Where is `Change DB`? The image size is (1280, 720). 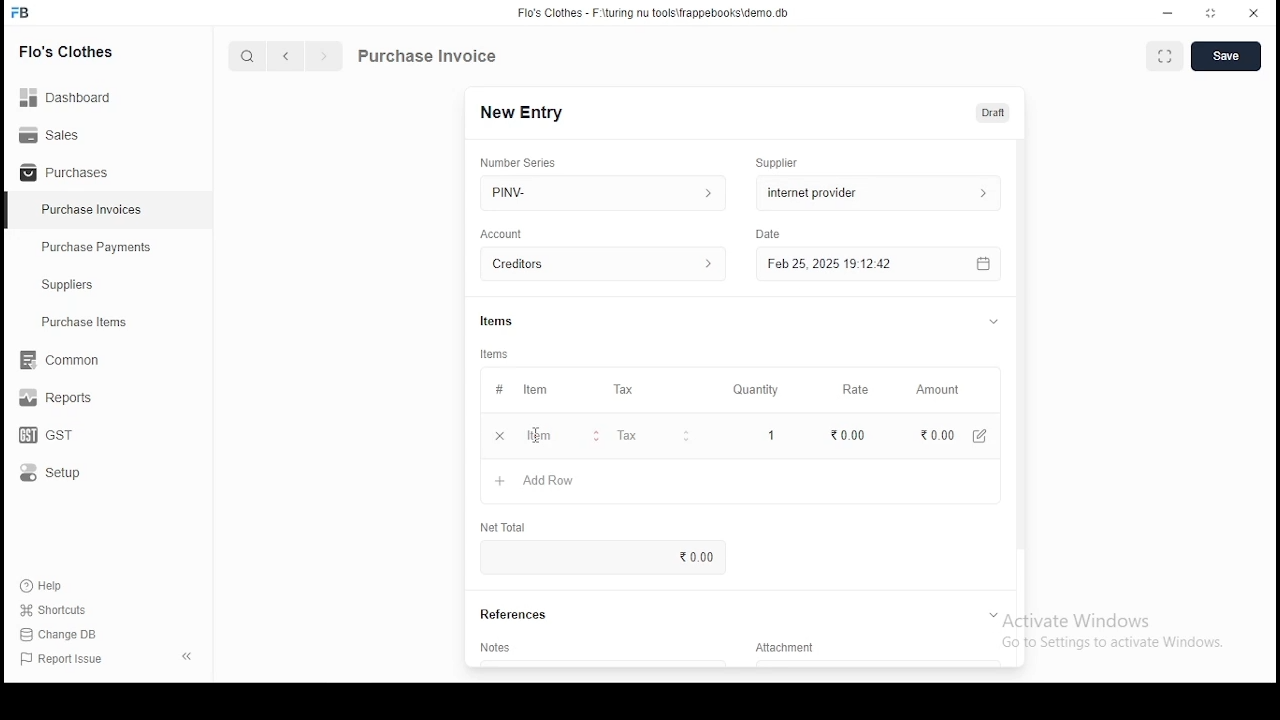 Change DB is located at coordinates (65, 635).